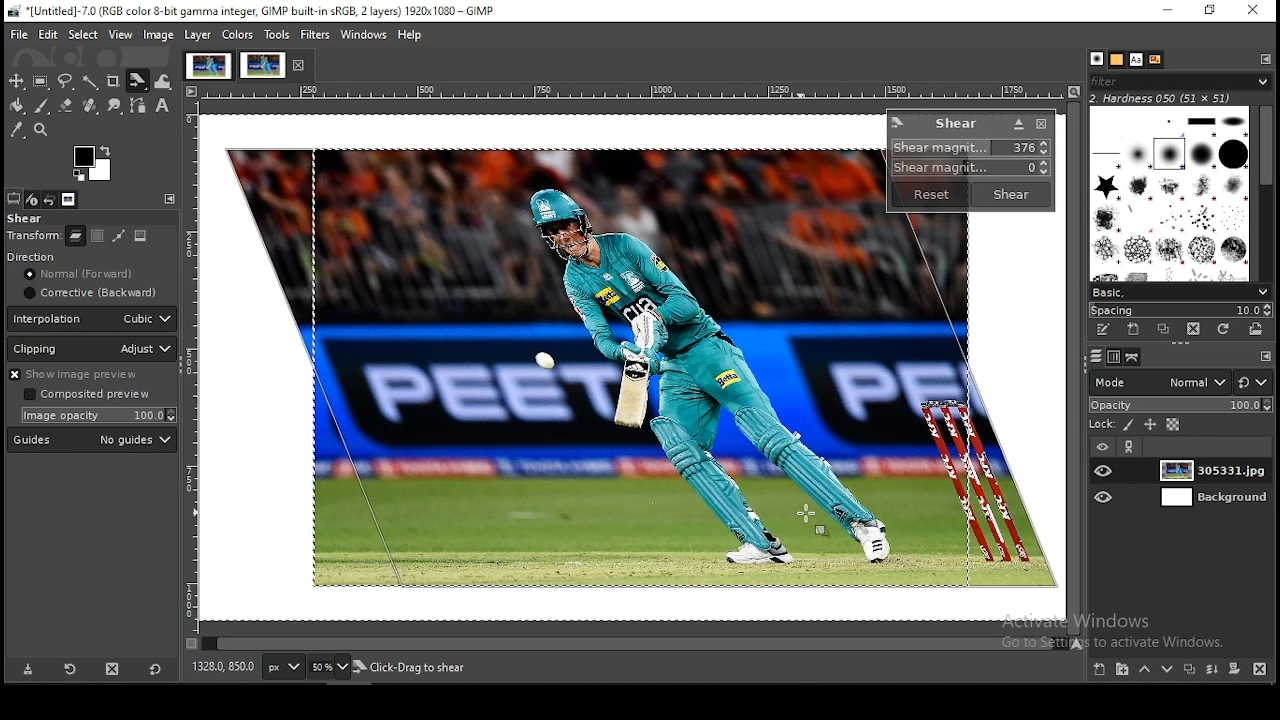 Image resolution: width=1280 pixels, height=720 pixels. Describe the element at coordinates (164, 106) in the screenshot. I see `text tool` at that location.